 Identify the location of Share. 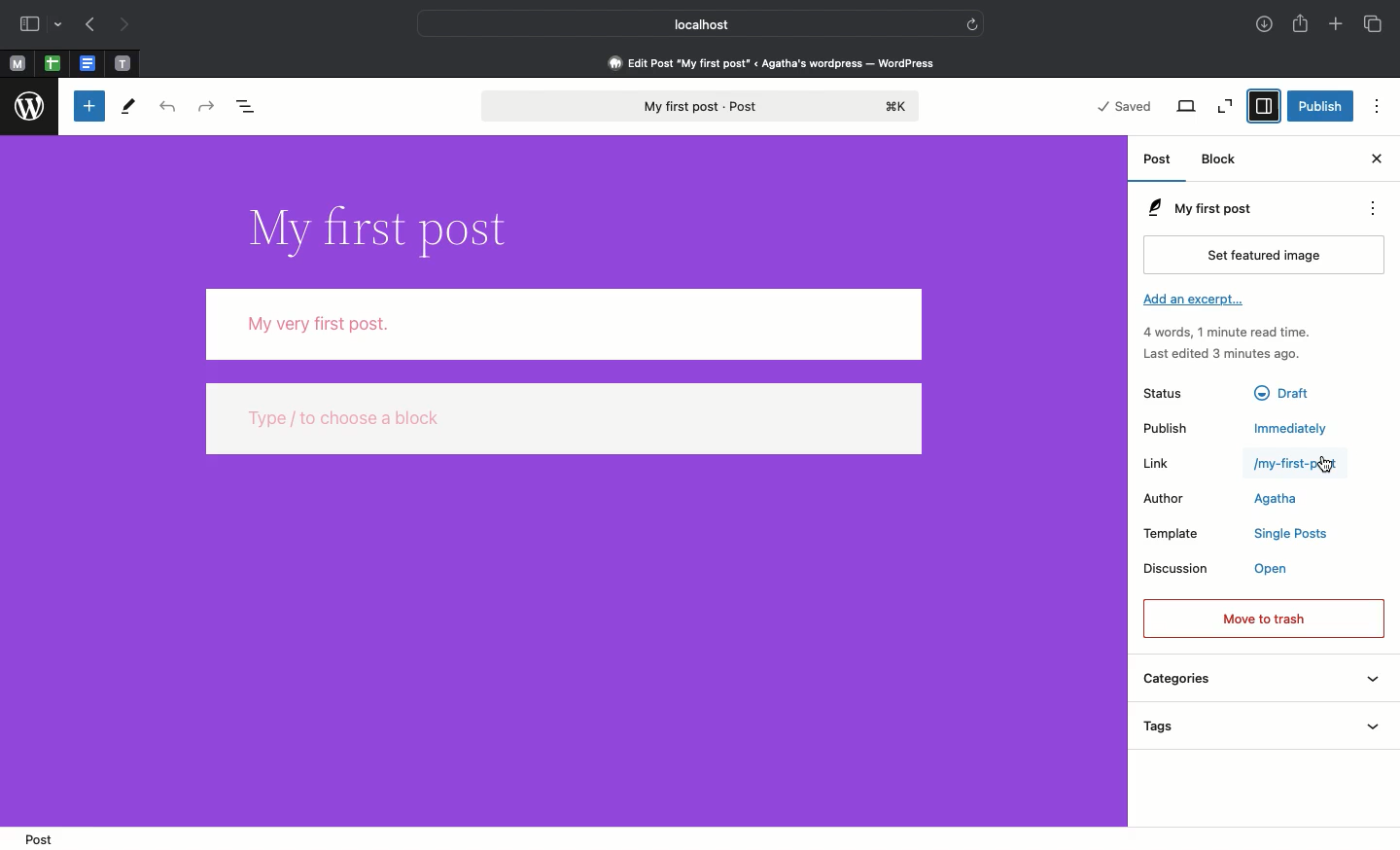
(1302, 25).